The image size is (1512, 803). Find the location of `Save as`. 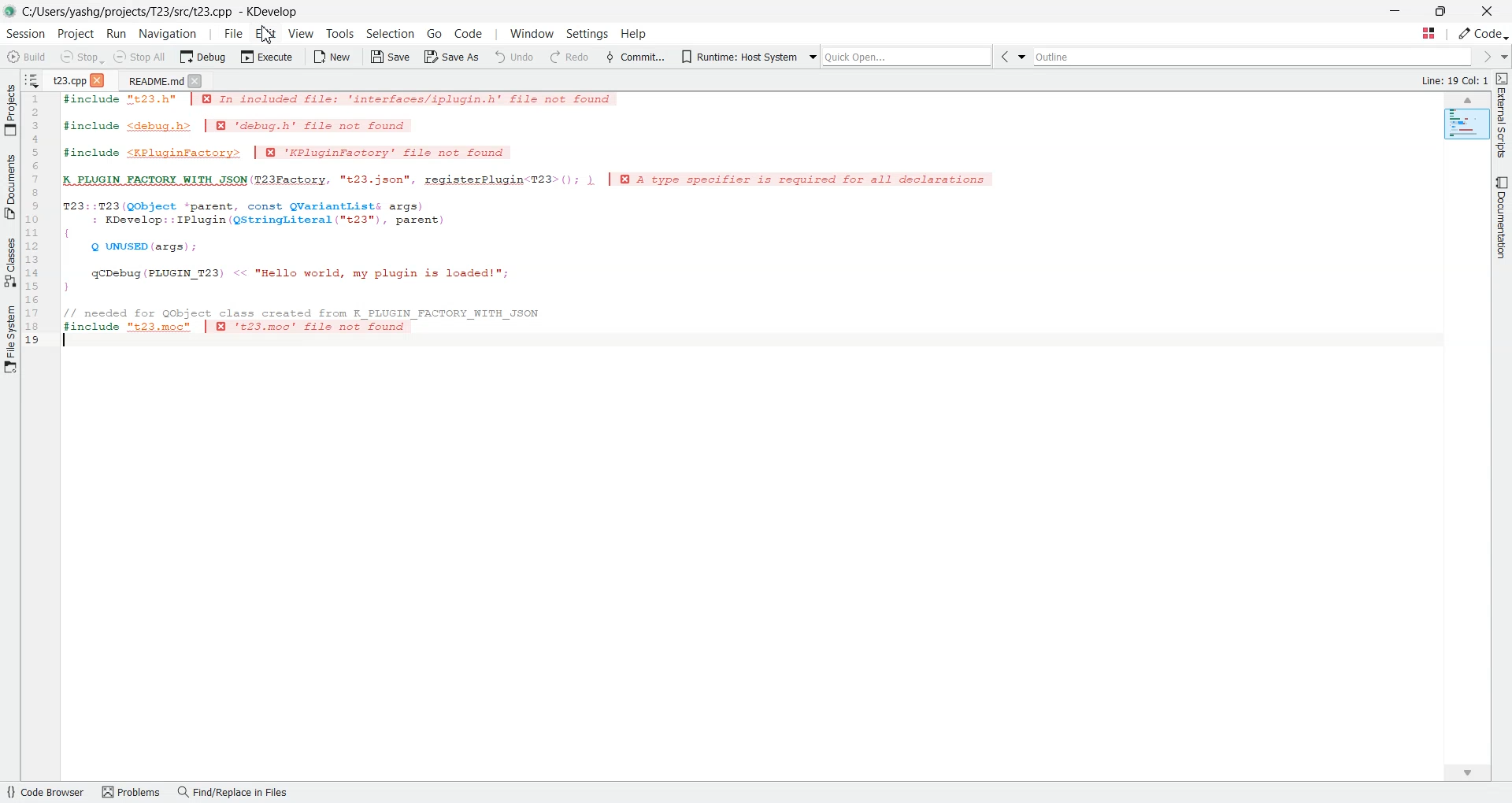

Save as is located at coordinates (452, 57).